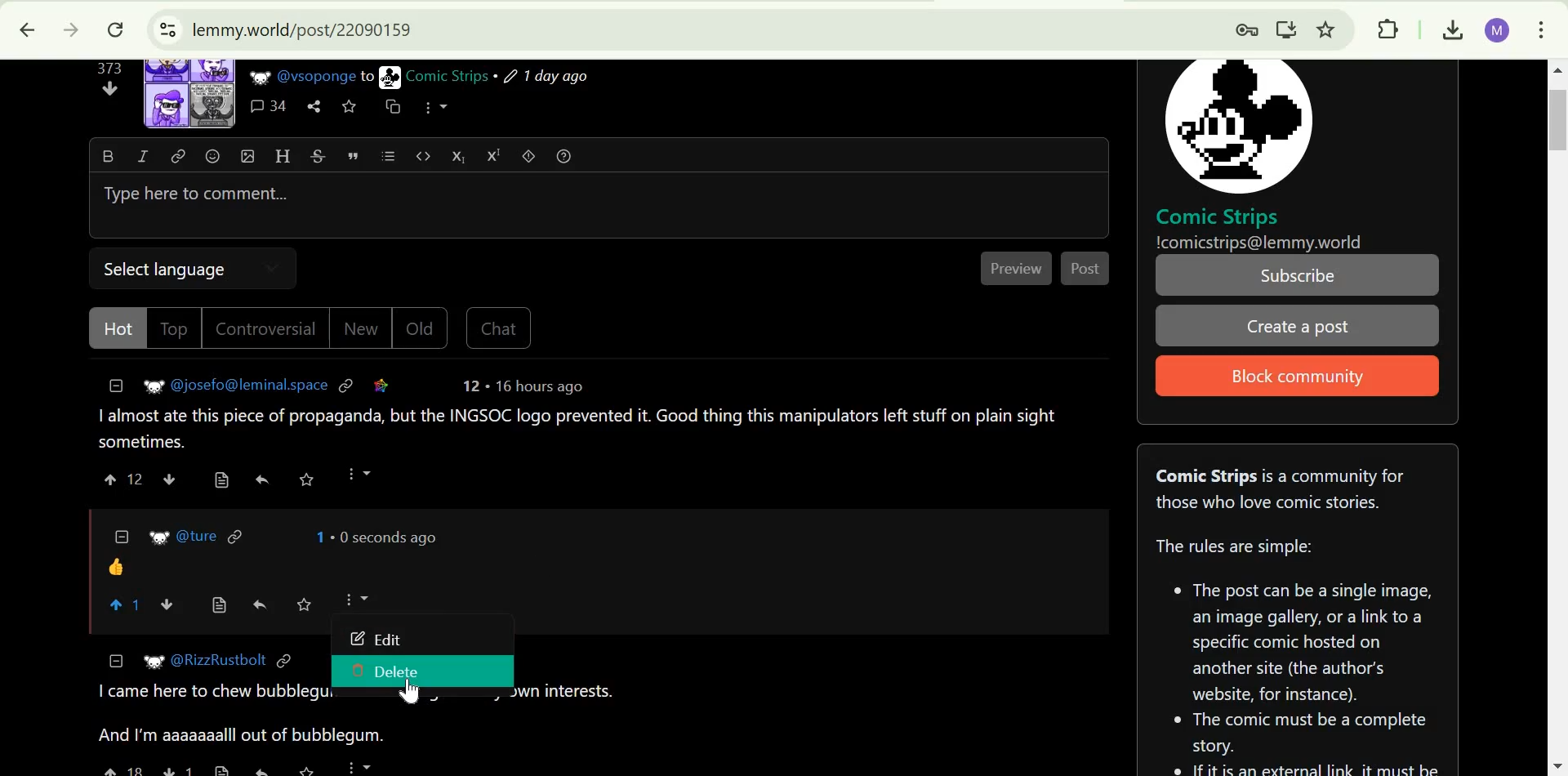  I want to click on link, so click(238, 535).